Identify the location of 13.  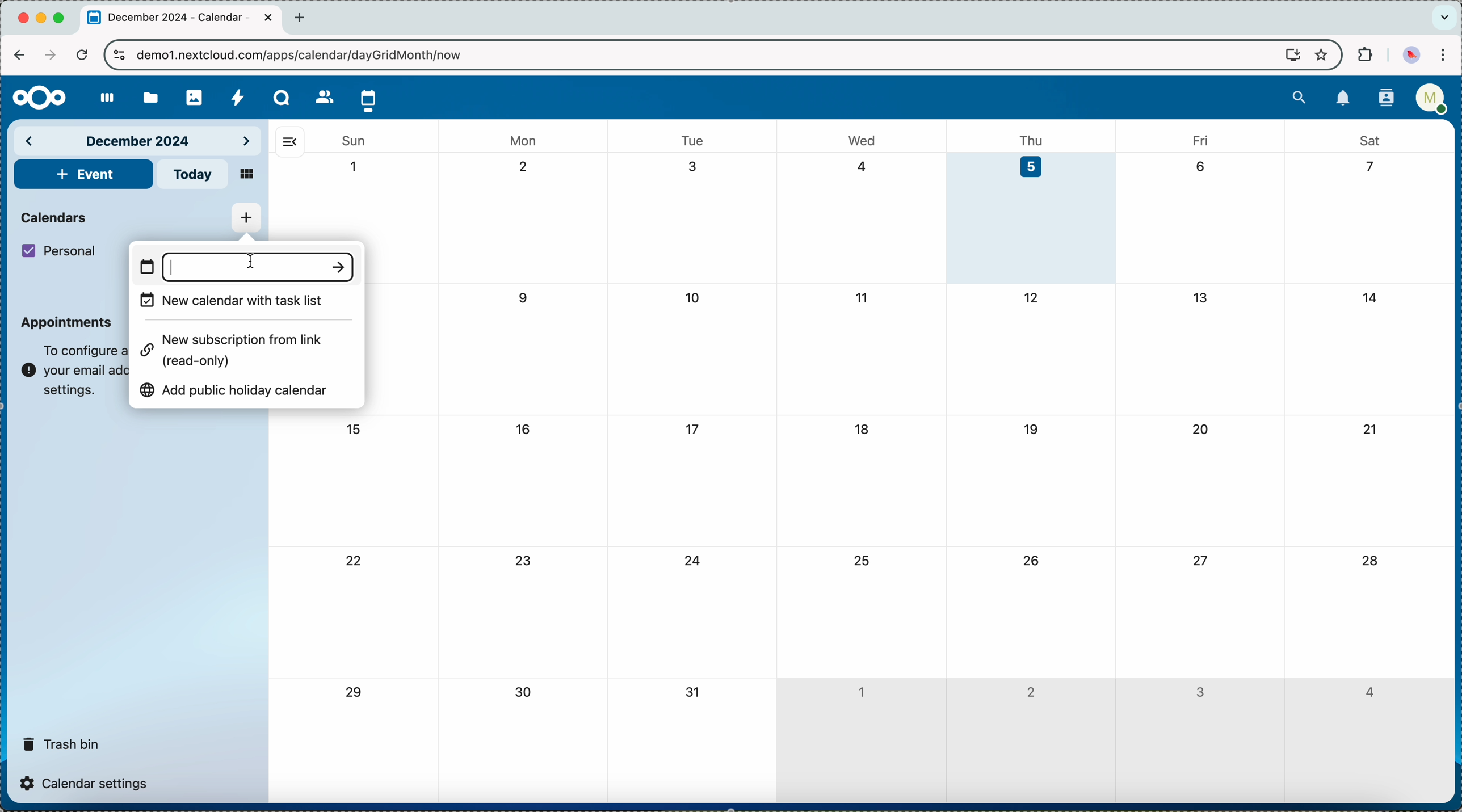
(1200, 297).